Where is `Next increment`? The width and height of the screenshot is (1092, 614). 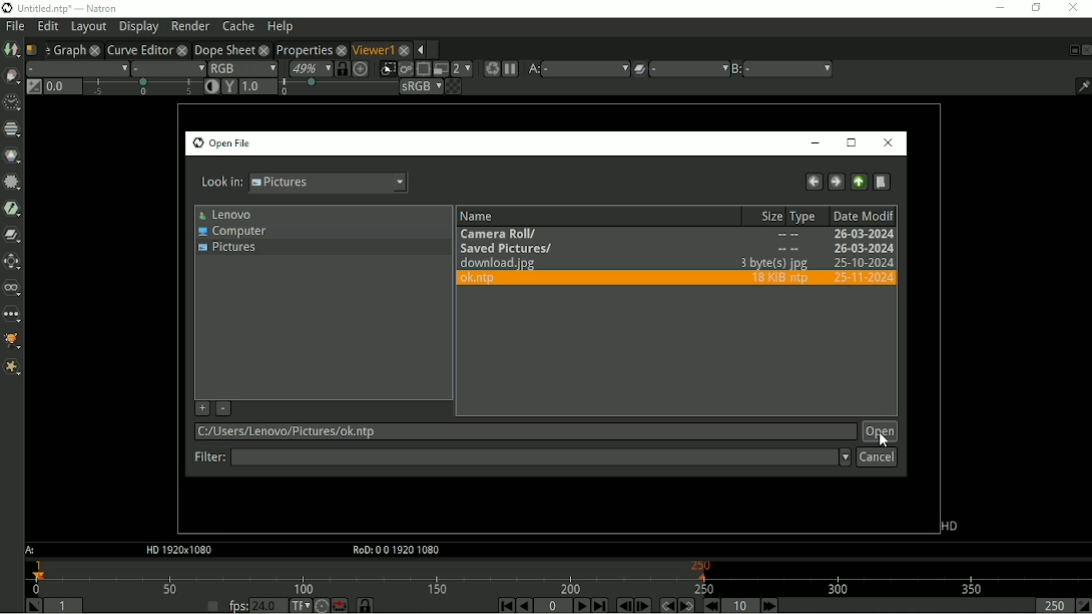 Next increment is located at coordinates (770, 605).